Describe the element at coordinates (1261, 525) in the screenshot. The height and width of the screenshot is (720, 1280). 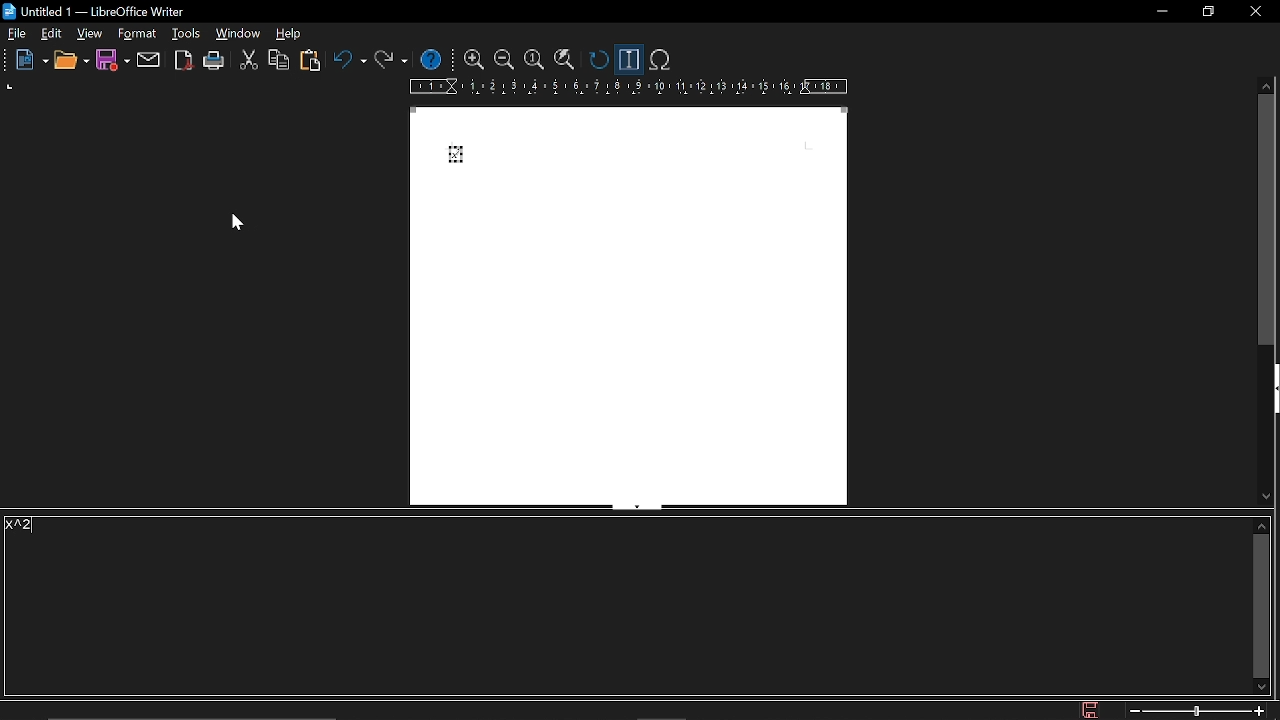
I see `move up` at that location.